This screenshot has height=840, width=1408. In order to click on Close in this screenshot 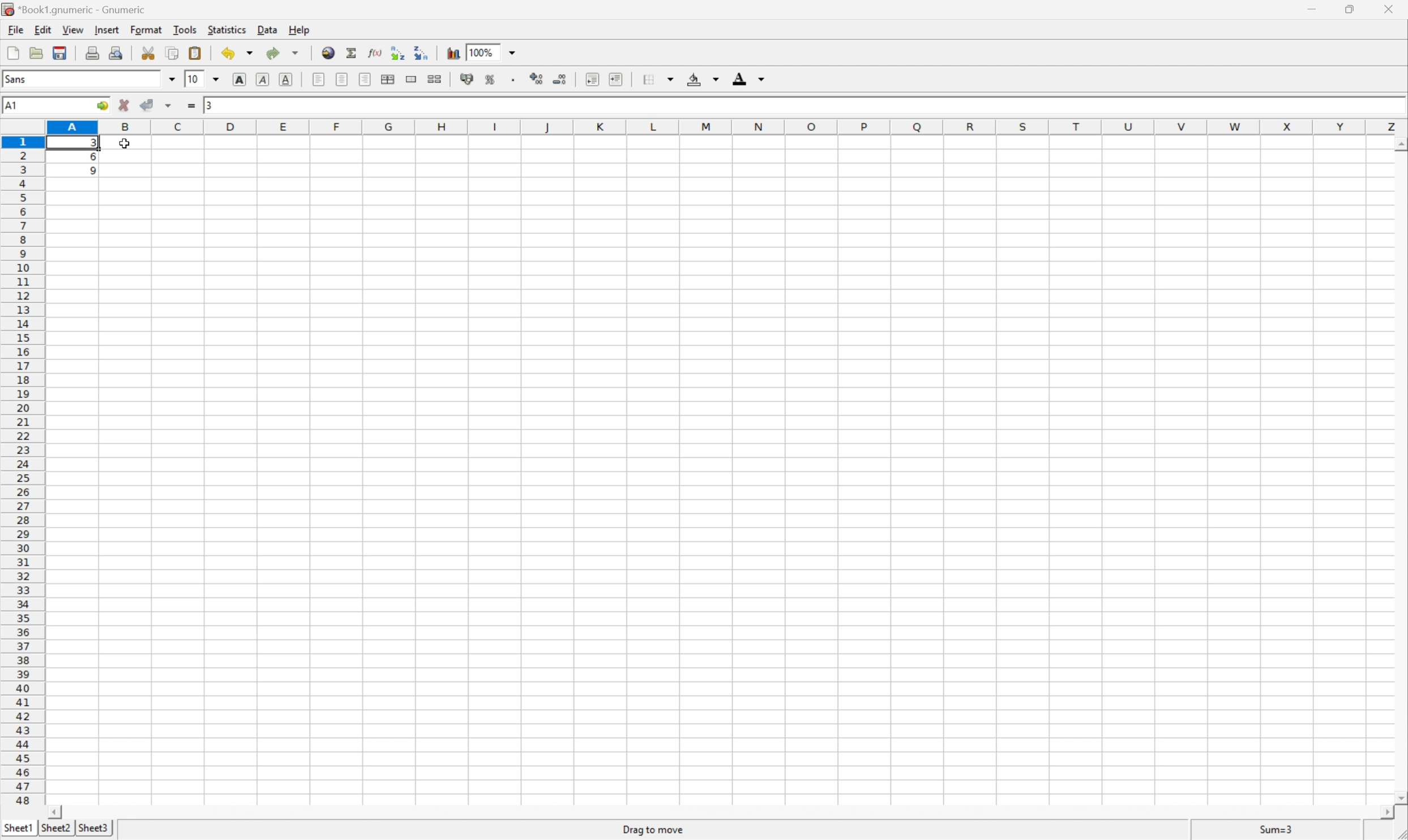, I will do `click(1385, 8)`.